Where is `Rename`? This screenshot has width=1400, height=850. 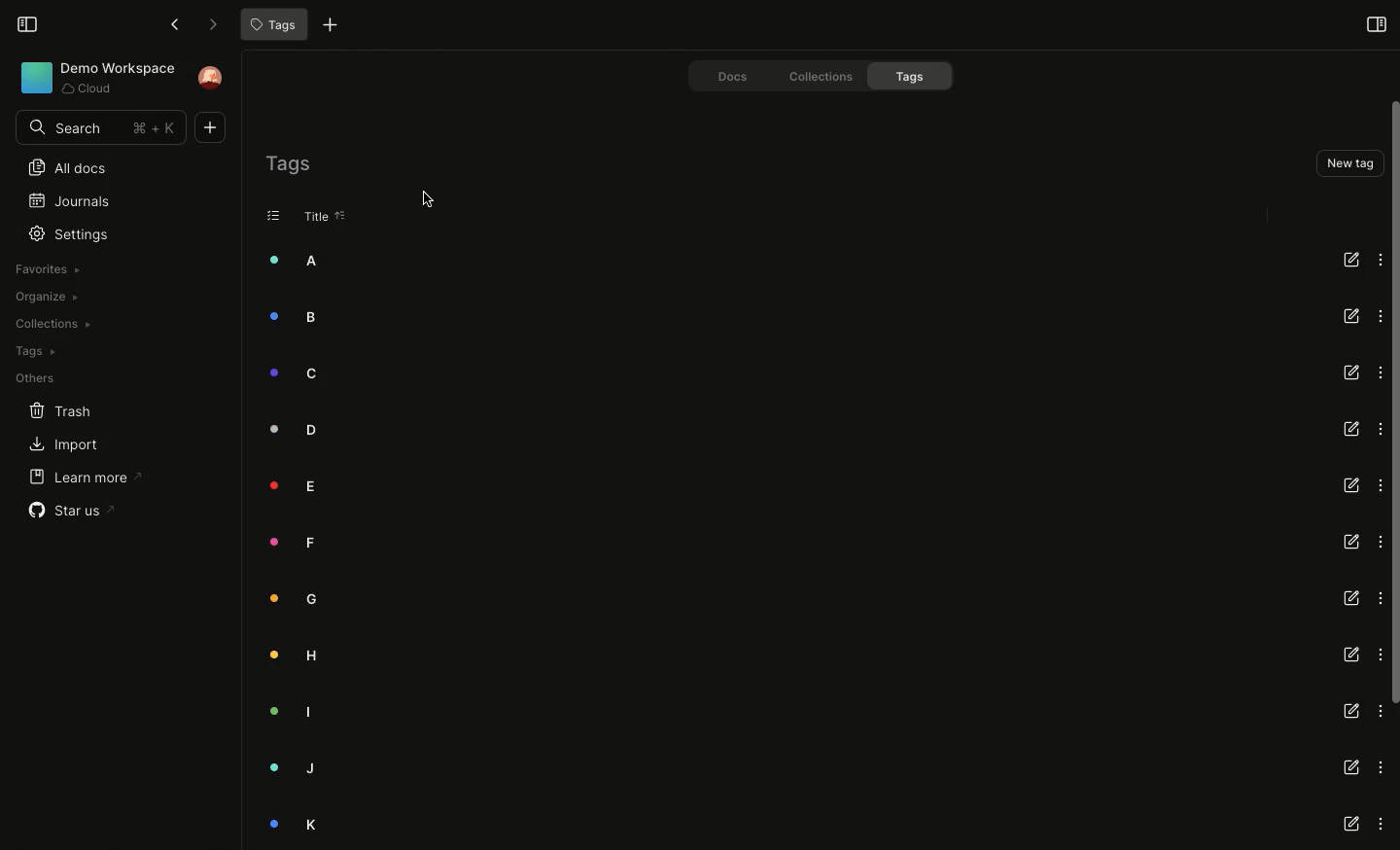
Rename is located at coordinates (1352, 426).